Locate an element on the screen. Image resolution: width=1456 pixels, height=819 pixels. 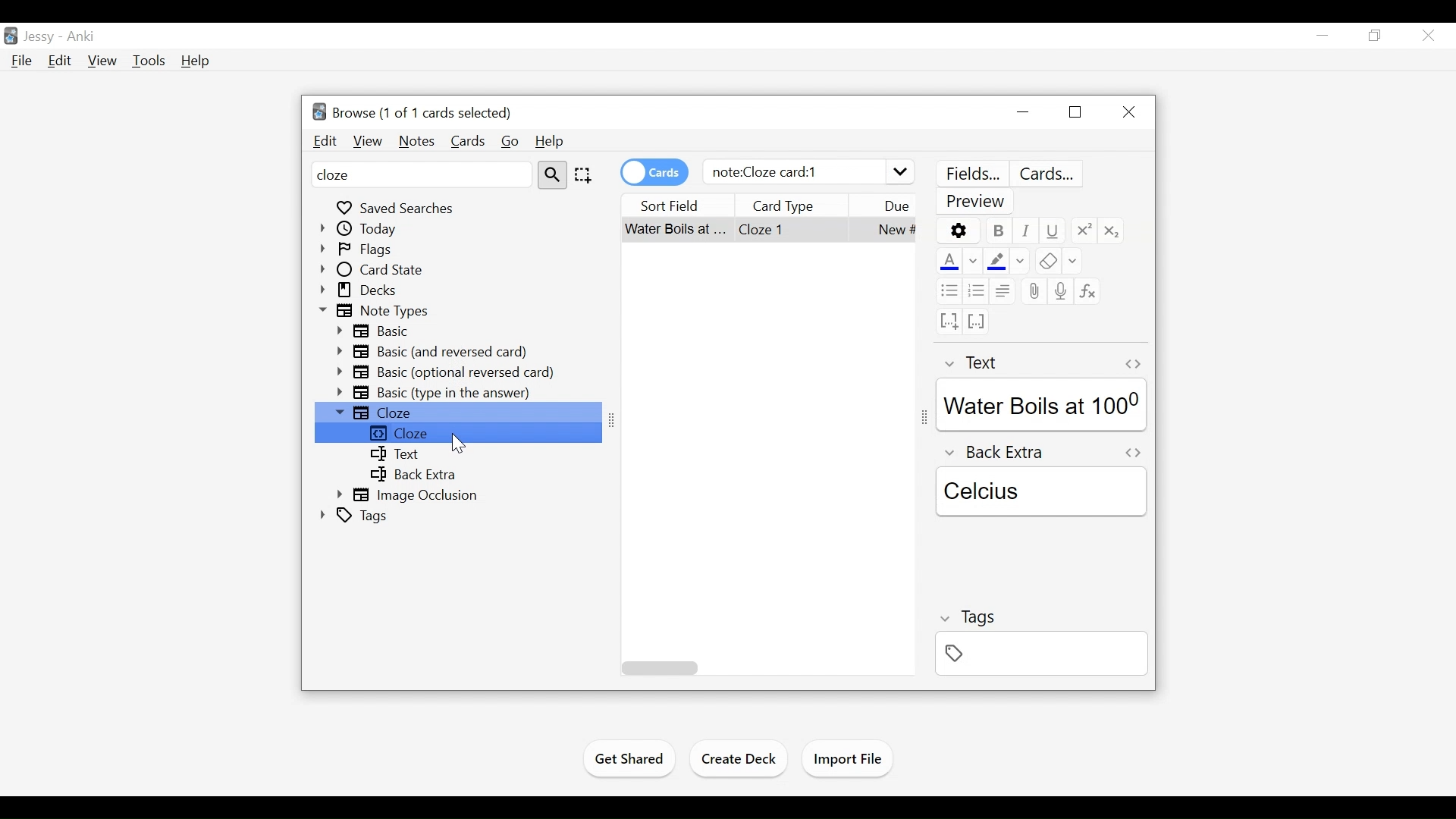
Customize Card Template is located at coordinates (1049, 175).